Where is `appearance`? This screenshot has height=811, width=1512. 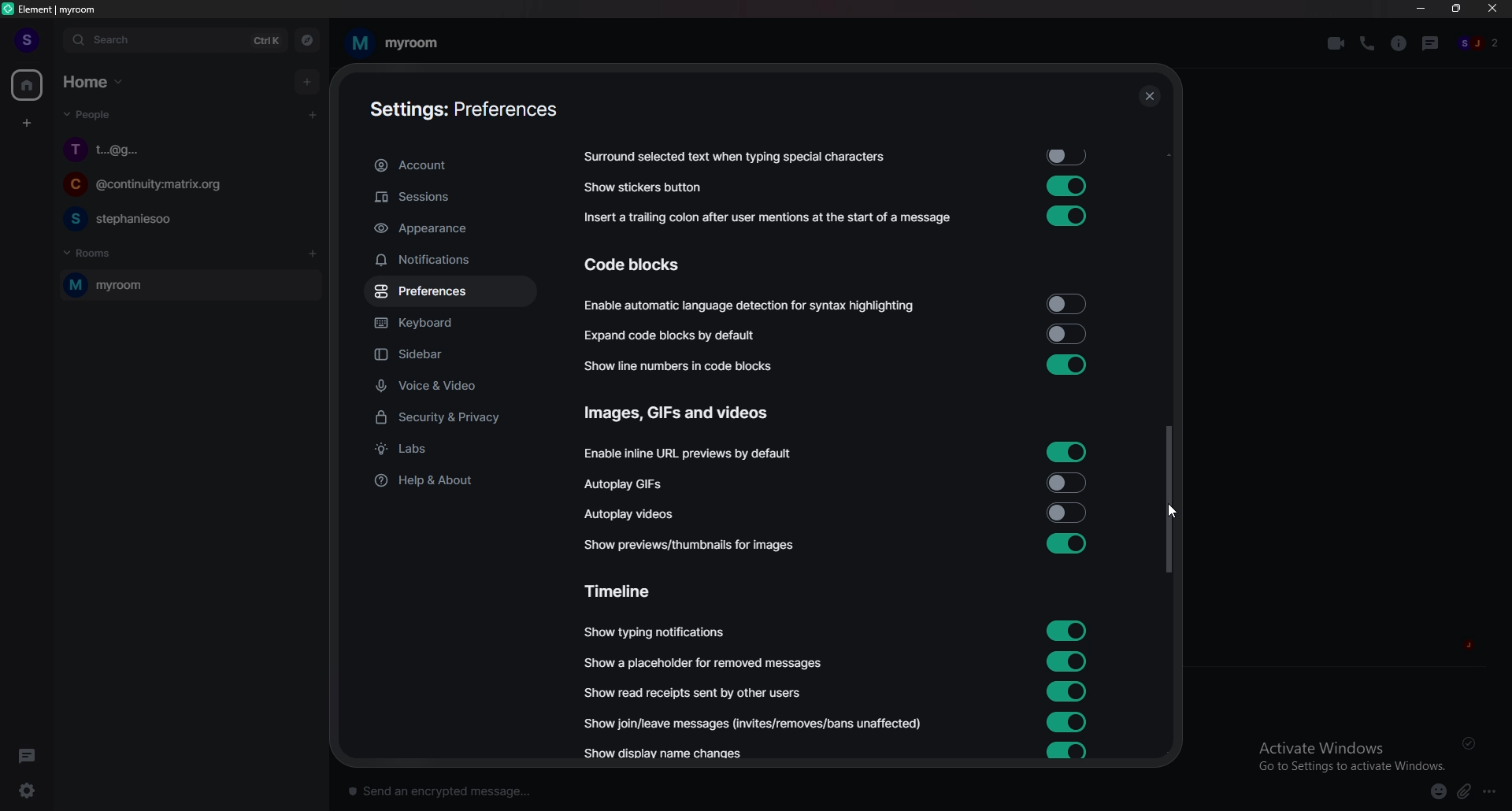
appearance is located at coordinates (450, 229).